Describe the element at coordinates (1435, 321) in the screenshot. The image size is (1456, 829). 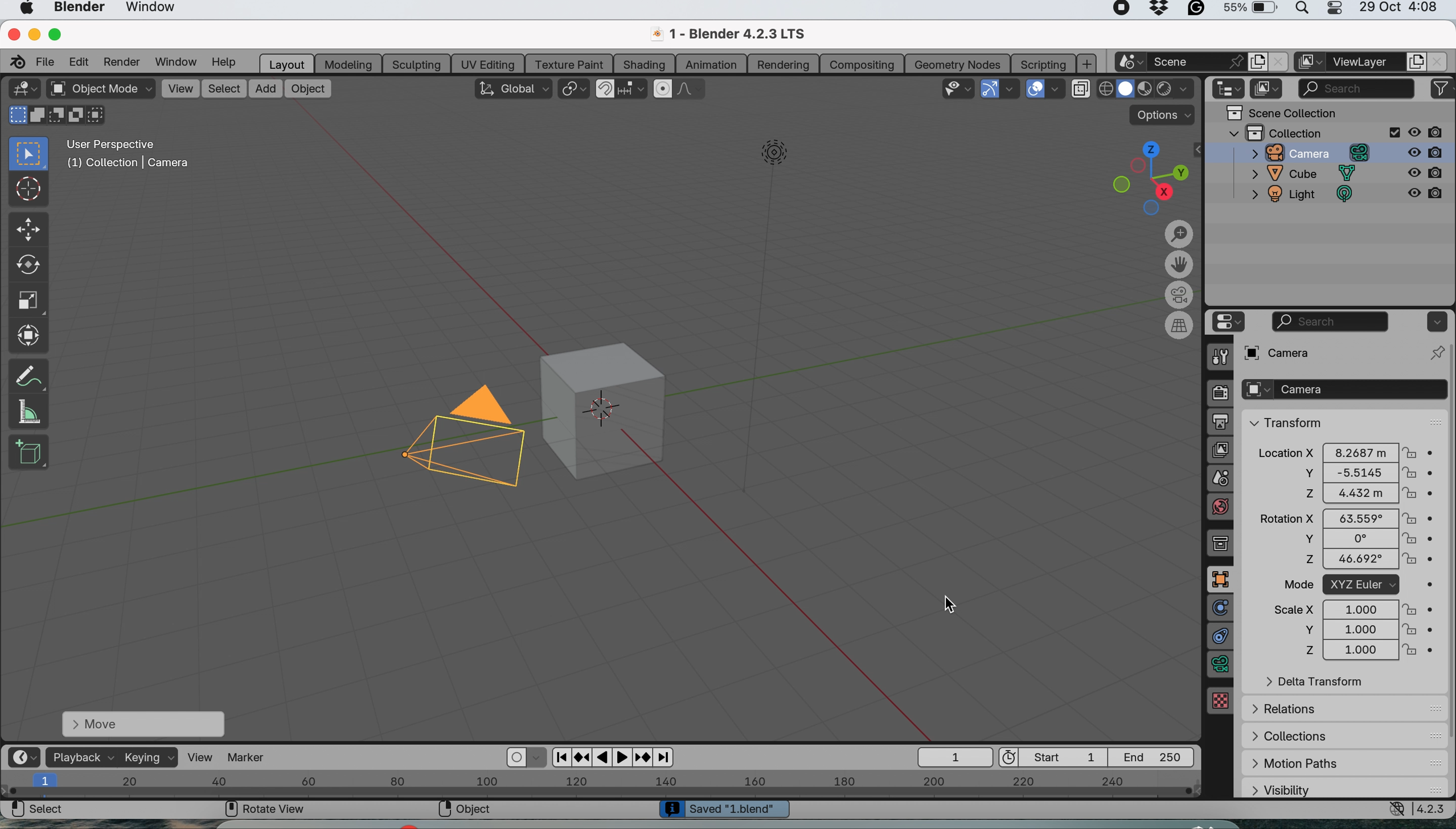
I see `options` at that location.